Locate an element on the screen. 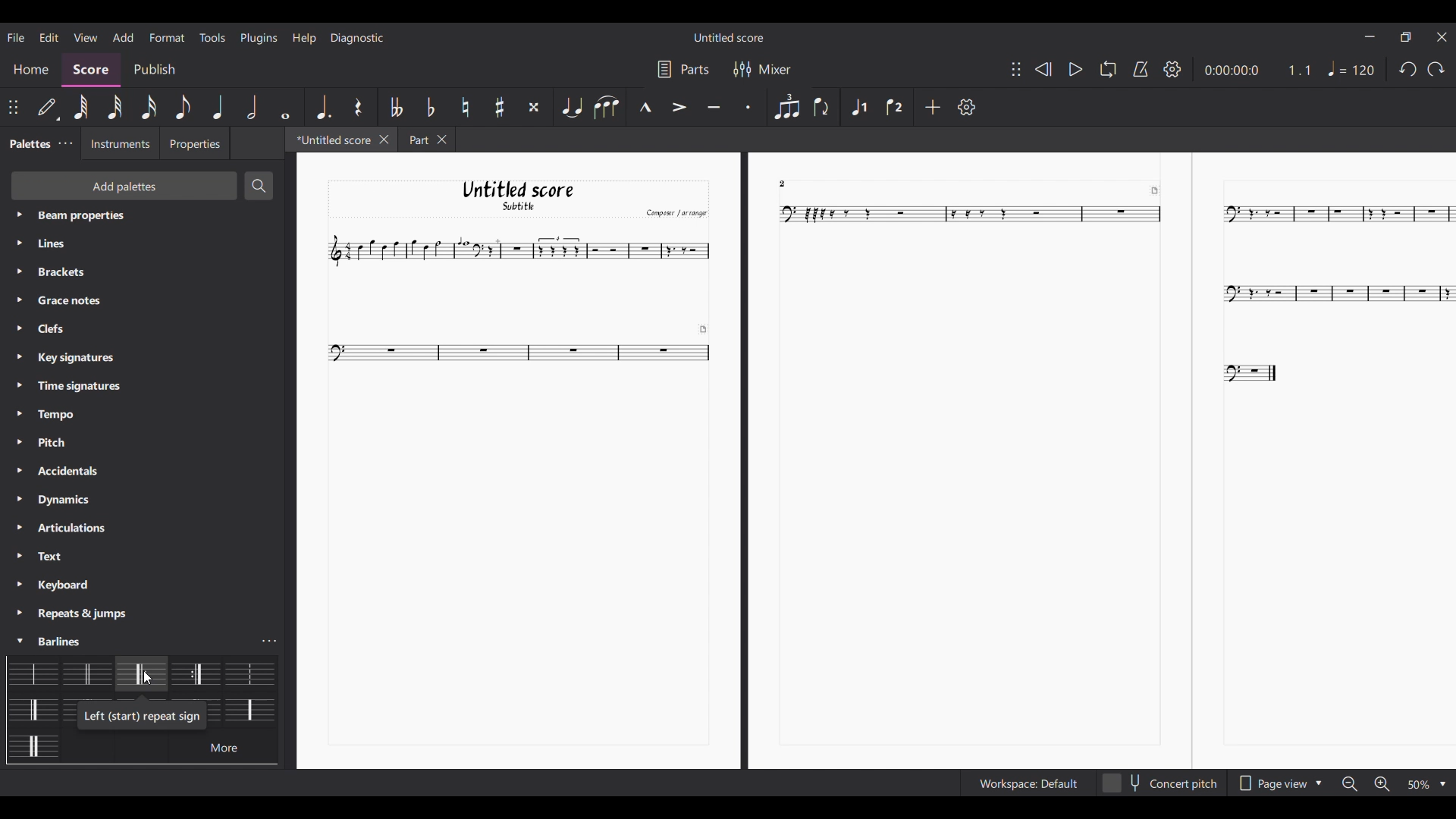 This screenshot has width=1456, height=819. Palette settings is located at coordinates (87, 613).